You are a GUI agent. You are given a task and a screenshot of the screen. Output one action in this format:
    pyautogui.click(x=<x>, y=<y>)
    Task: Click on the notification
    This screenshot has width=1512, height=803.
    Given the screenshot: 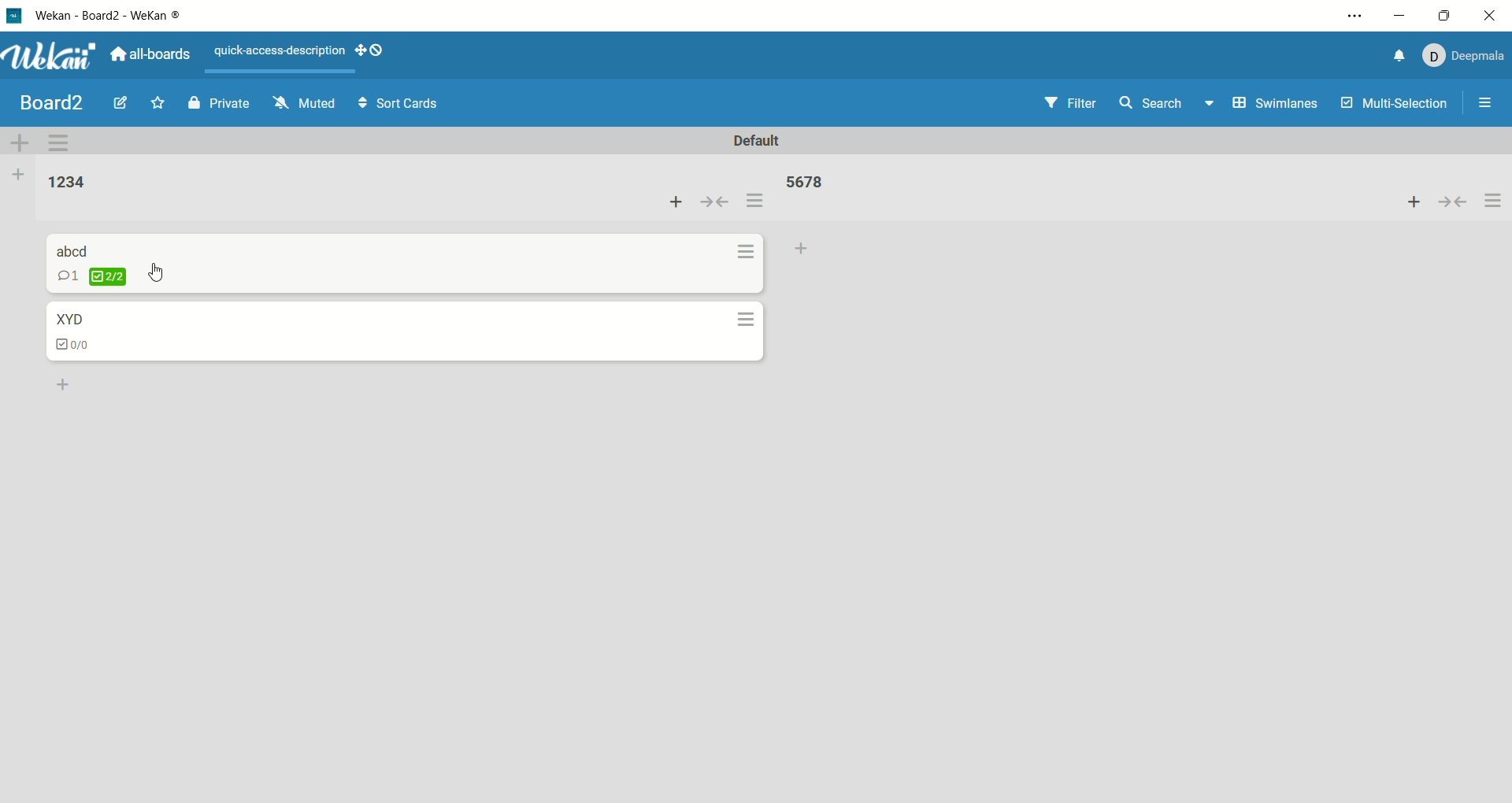 What is the action you would take?
    pyautogui.click(x=1398, y=57)
    